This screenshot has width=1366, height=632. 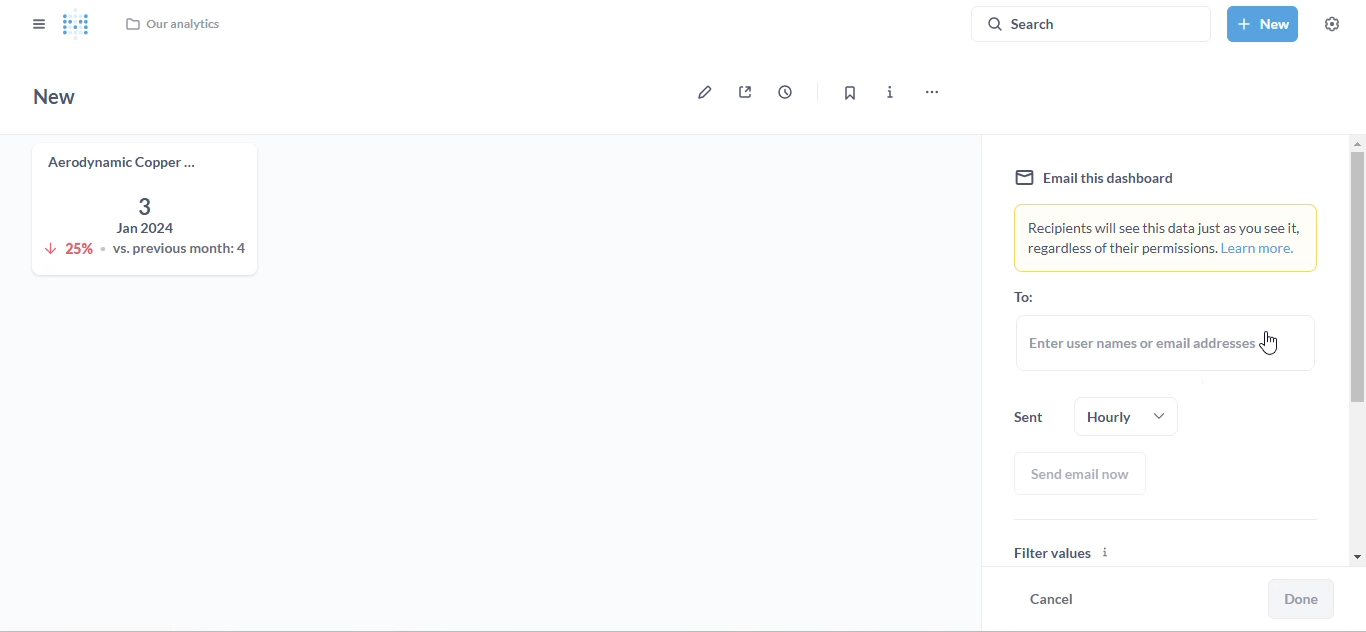 I want to click on recipients will see this data just as you see it, regardless of their permissions. learn more, so click(x=1167, y=238).